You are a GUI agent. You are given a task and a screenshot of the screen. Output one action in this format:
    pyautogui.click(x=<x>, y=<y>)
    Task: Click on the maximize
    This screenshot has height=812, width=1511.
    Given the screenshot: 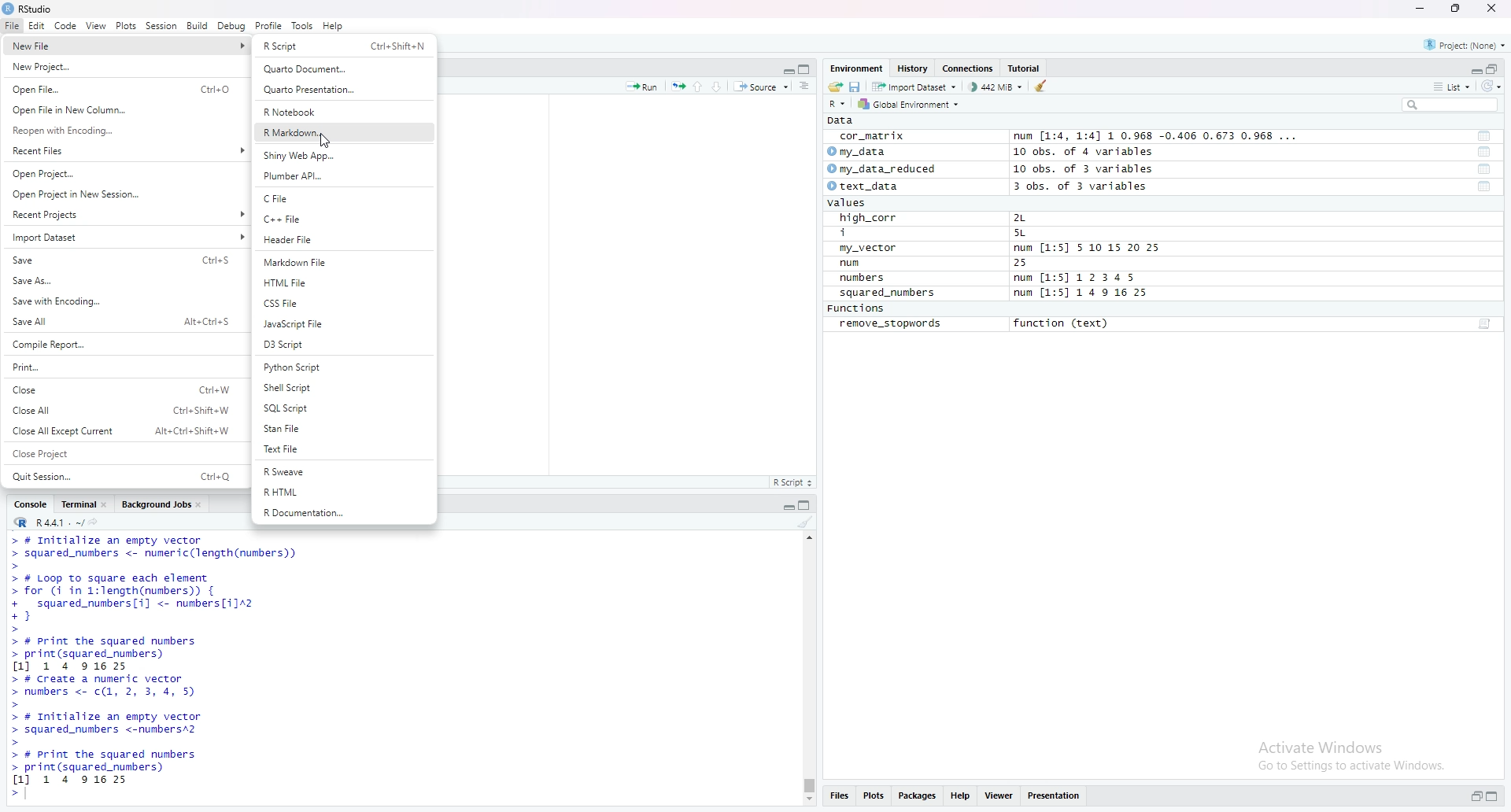 What is the action you would take?
    pyautogui.click(x=804, y=506)
    